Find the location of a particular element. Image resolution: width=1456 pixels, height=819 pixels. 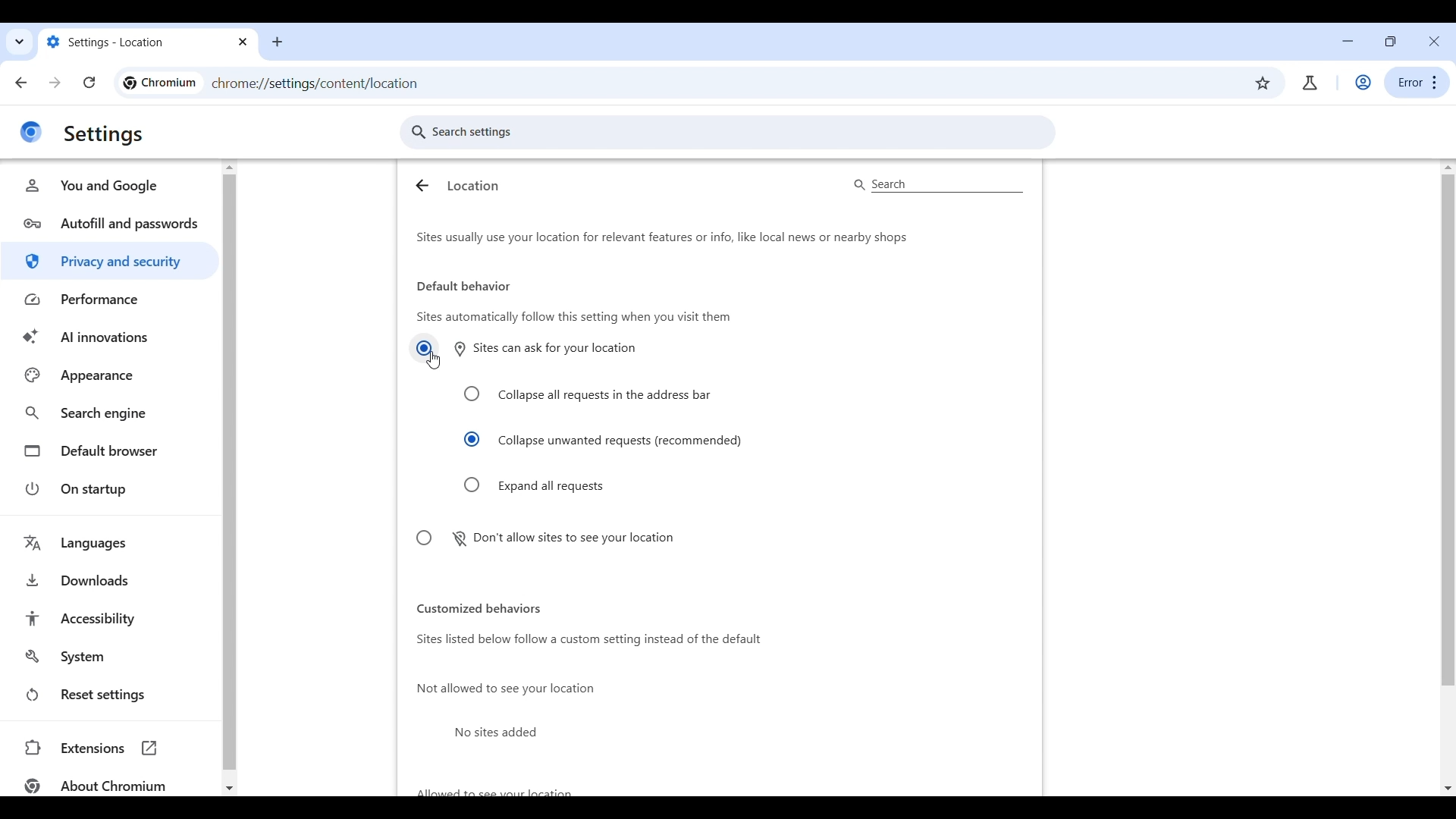

Don't allow sites to see your location is located at coordinates (548, 536).